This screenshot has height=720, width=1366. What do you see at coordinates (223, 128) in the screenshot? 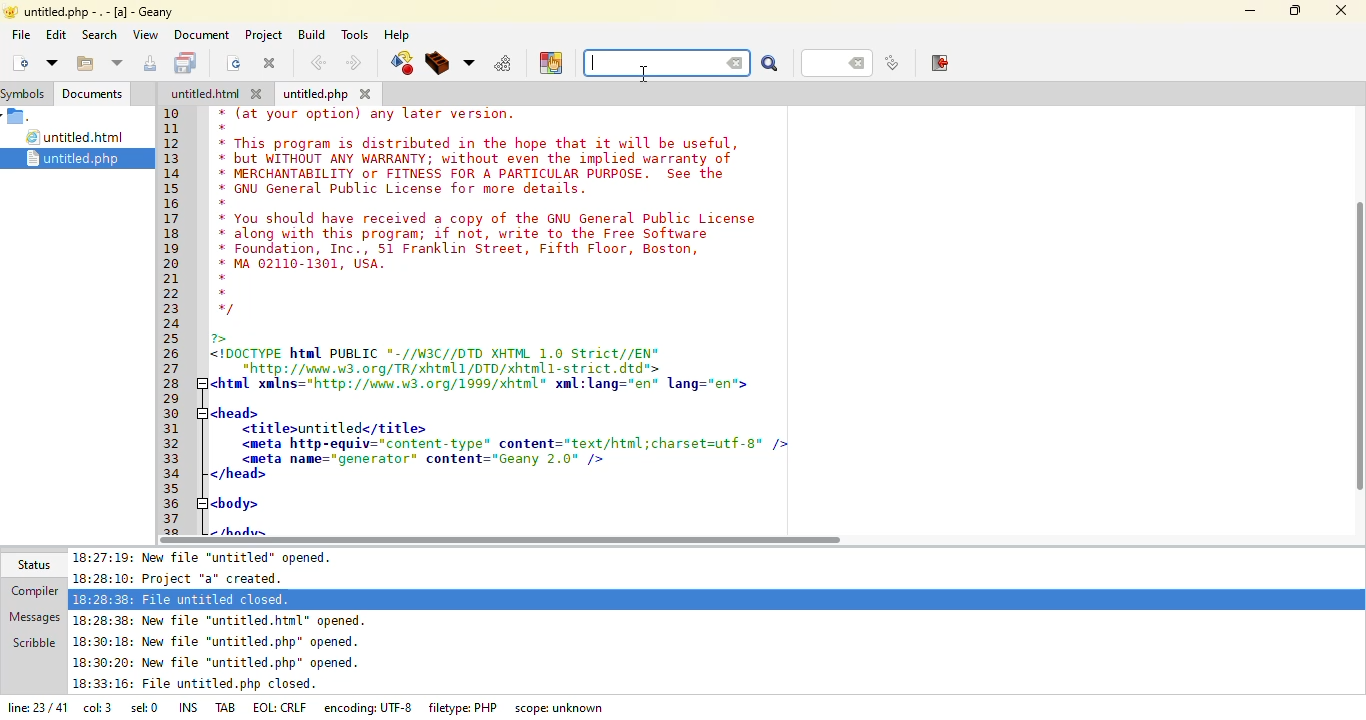
I see `*` at bounding box center [223, 128].